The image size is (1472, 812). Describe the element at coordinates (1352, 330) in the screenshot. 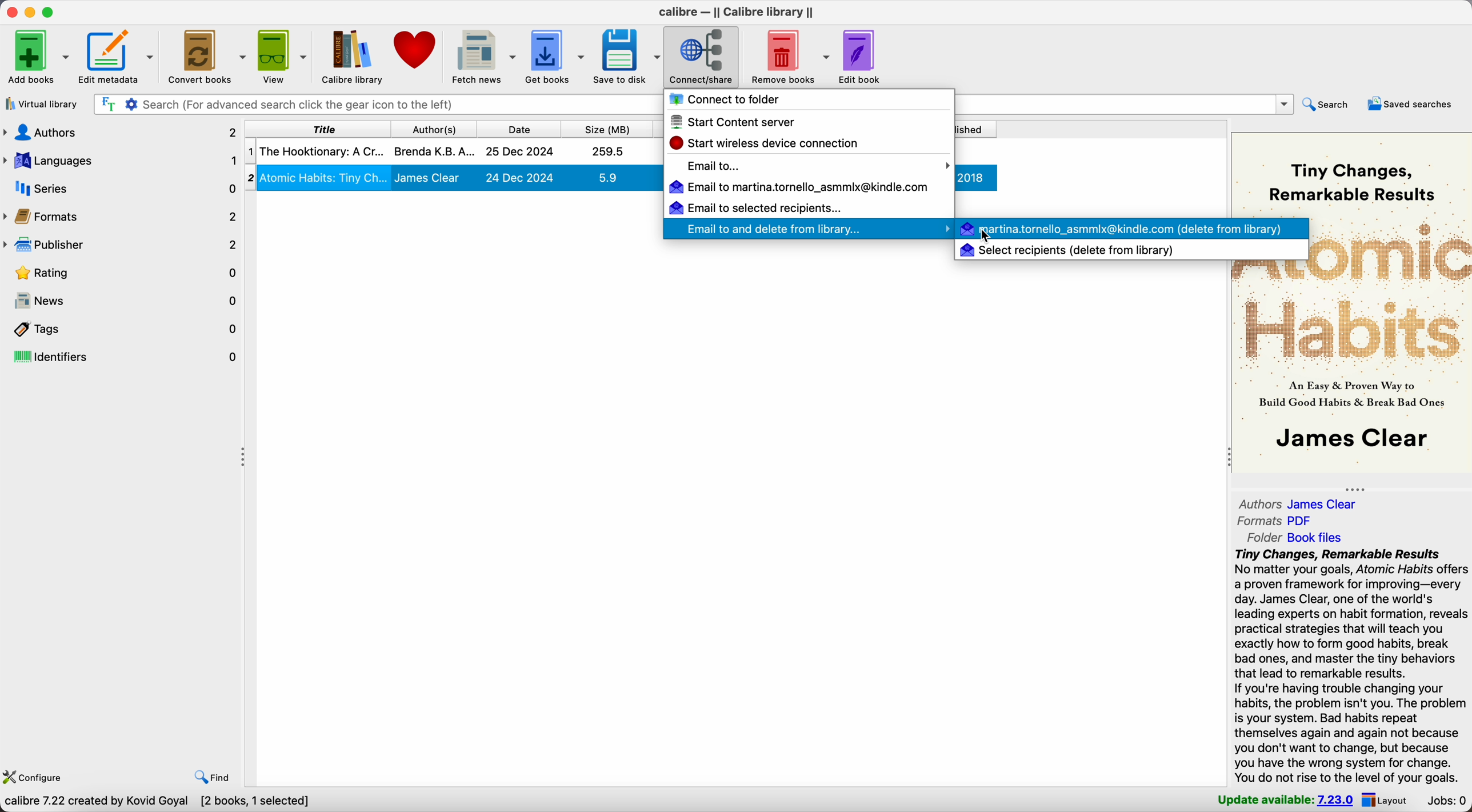

I see `Habits` at that location.